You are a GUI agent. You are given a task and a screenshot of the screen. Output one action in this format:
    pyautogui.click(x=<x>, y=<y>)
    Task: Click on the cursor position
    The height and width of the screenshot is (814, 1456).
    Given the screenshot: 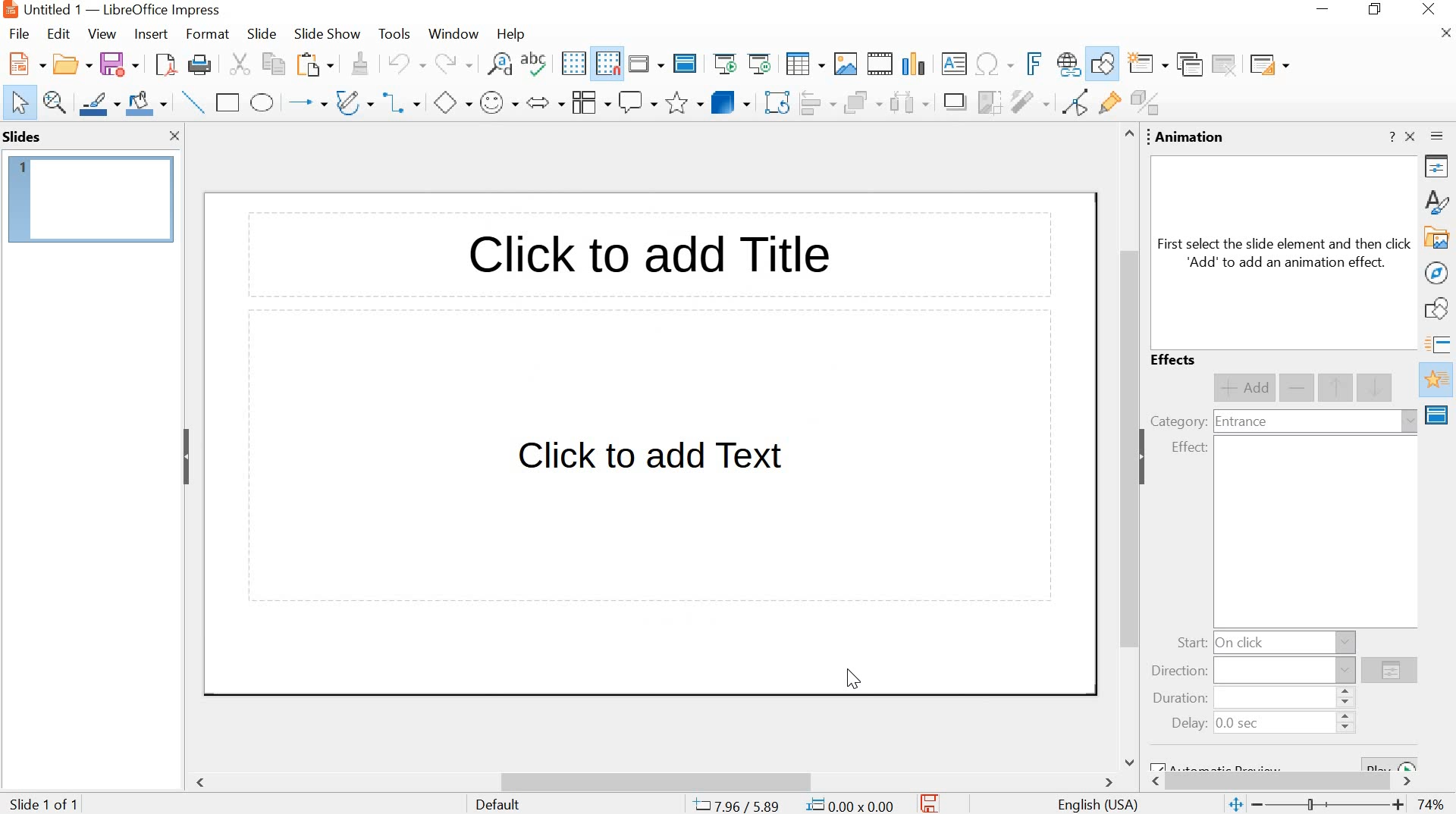 What is the action you would take?
    pyautogui.click(x=739, y=805)
    